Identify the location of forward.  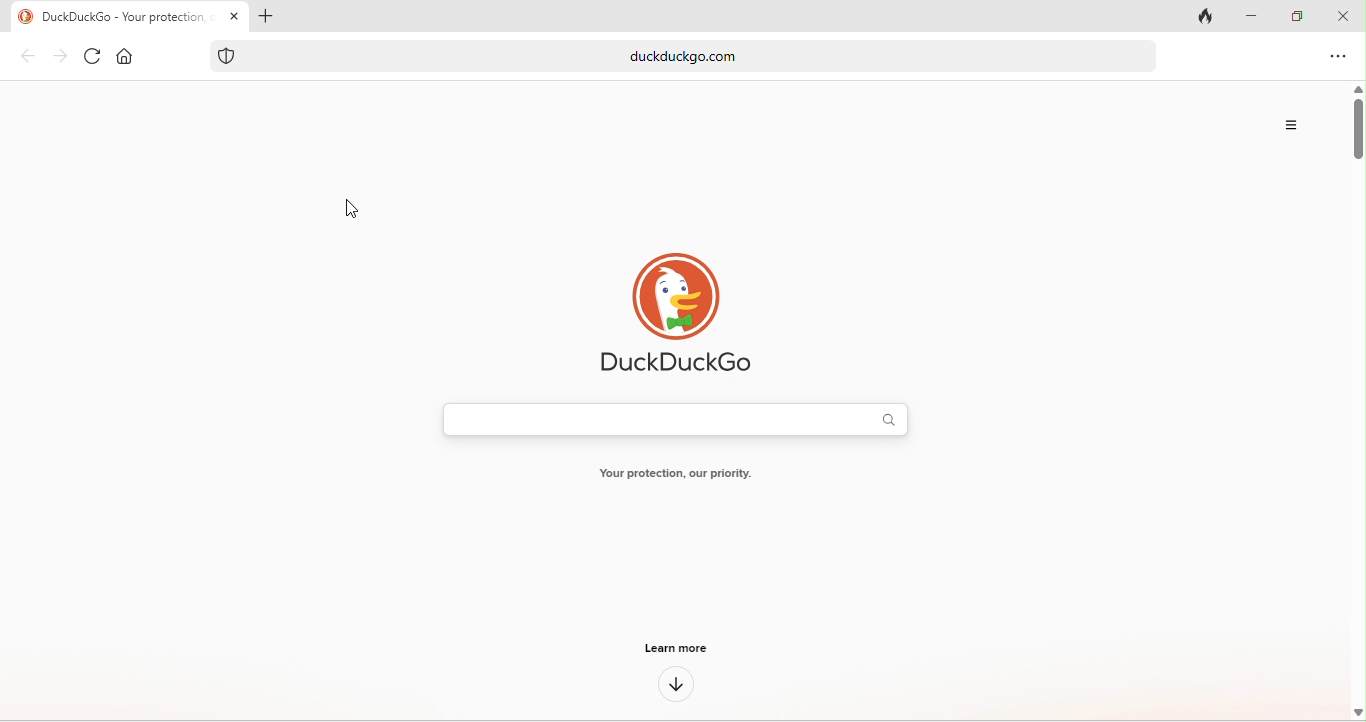
(63, 57).